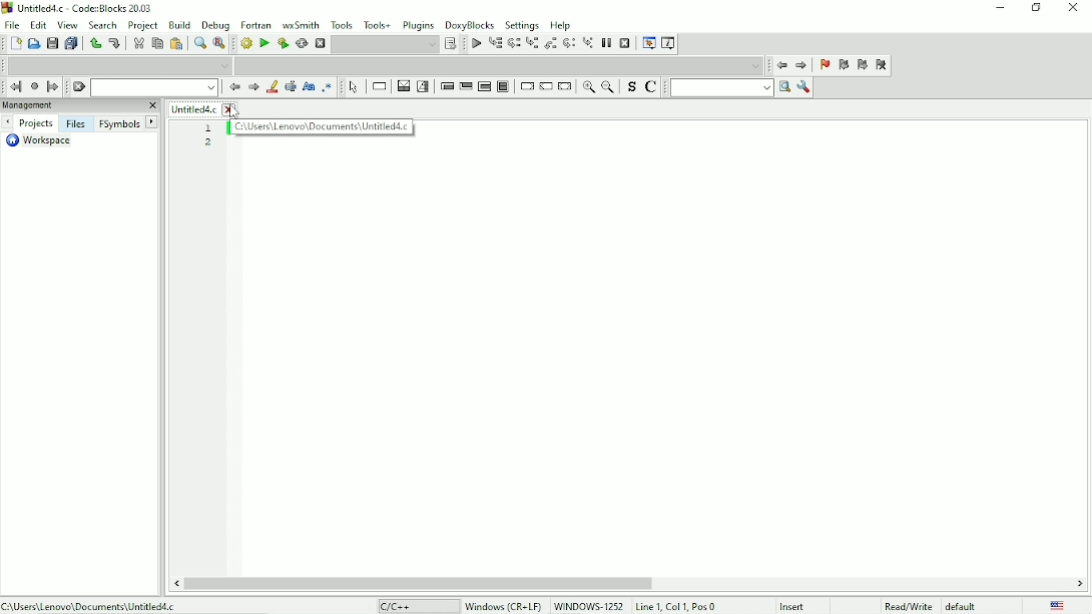  What do you see at coordinates (514, 43) in the screenshot?
I see `Next line` at bounding box center [514, 43].